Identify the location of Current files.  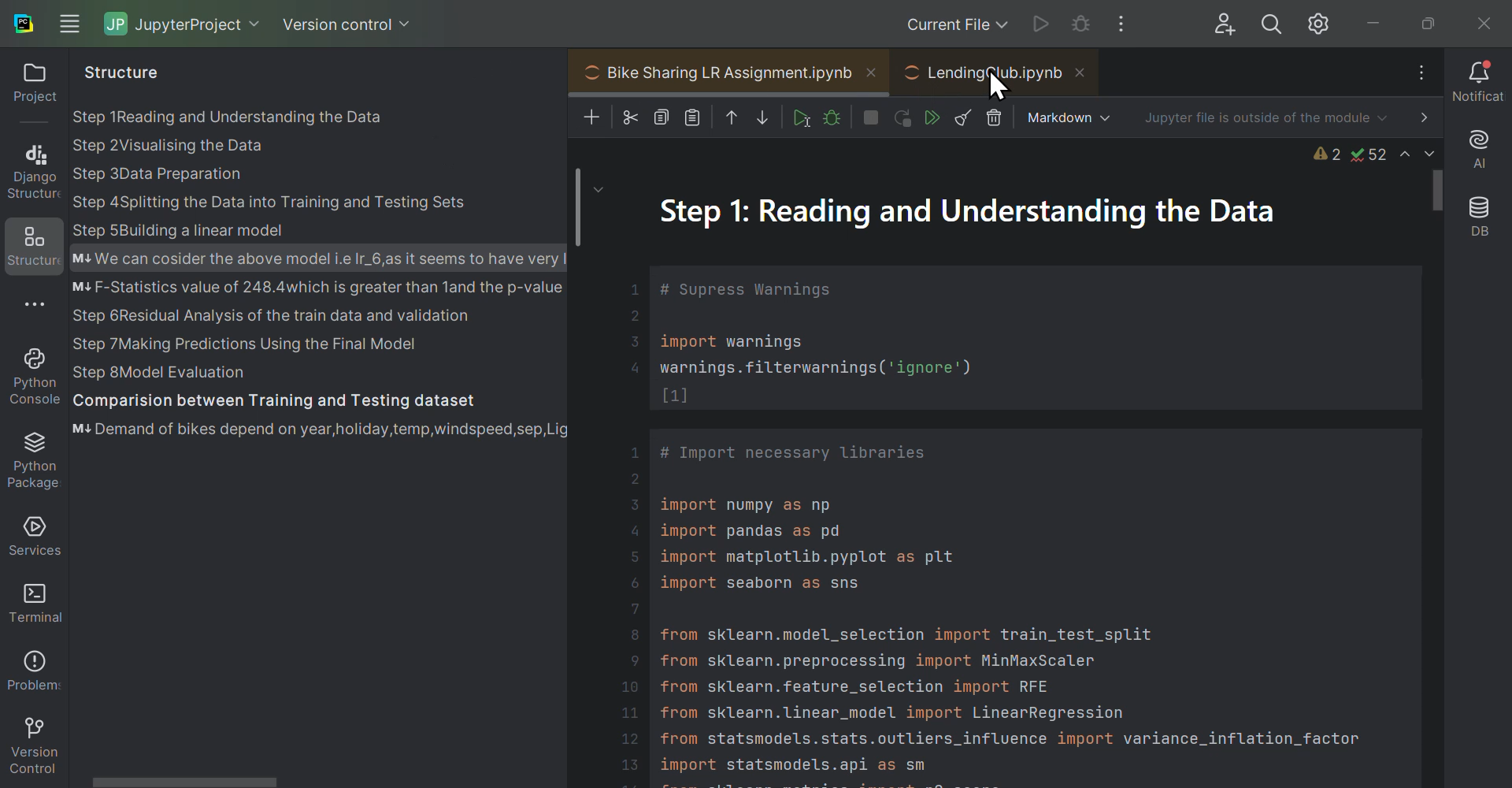
(958, 20).